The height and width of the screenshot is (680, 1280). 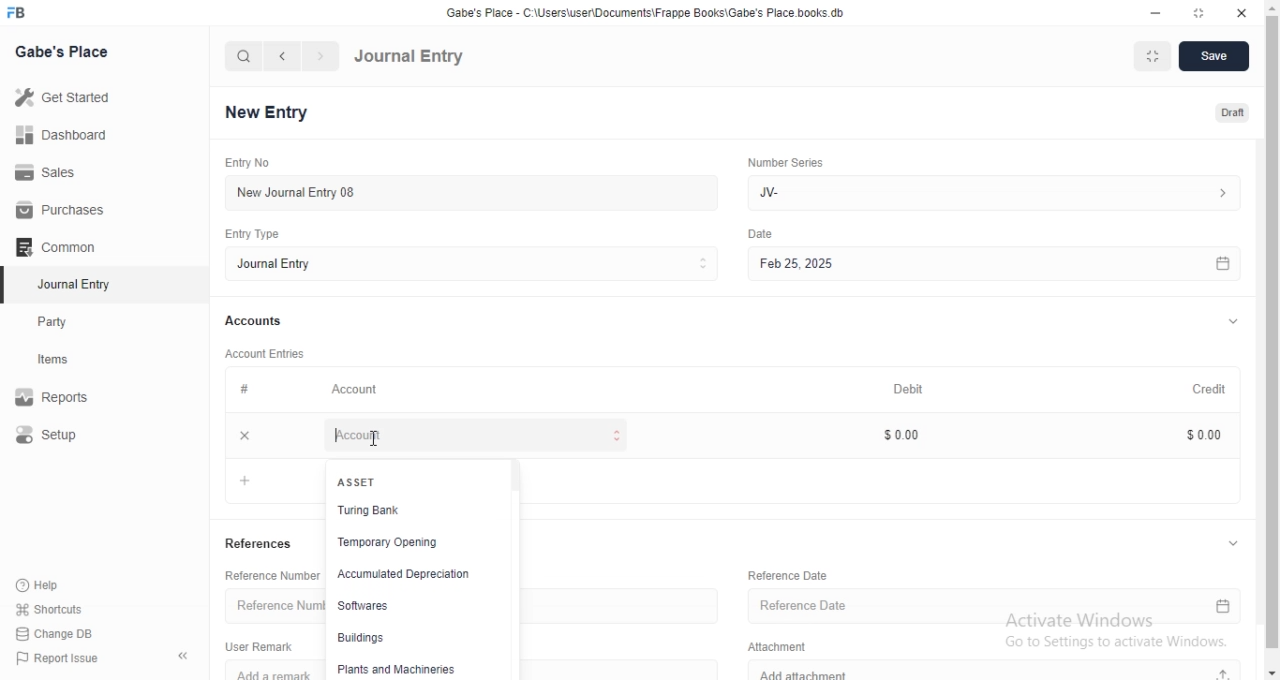 I want to click on Sales, so click(x=57, y=173).